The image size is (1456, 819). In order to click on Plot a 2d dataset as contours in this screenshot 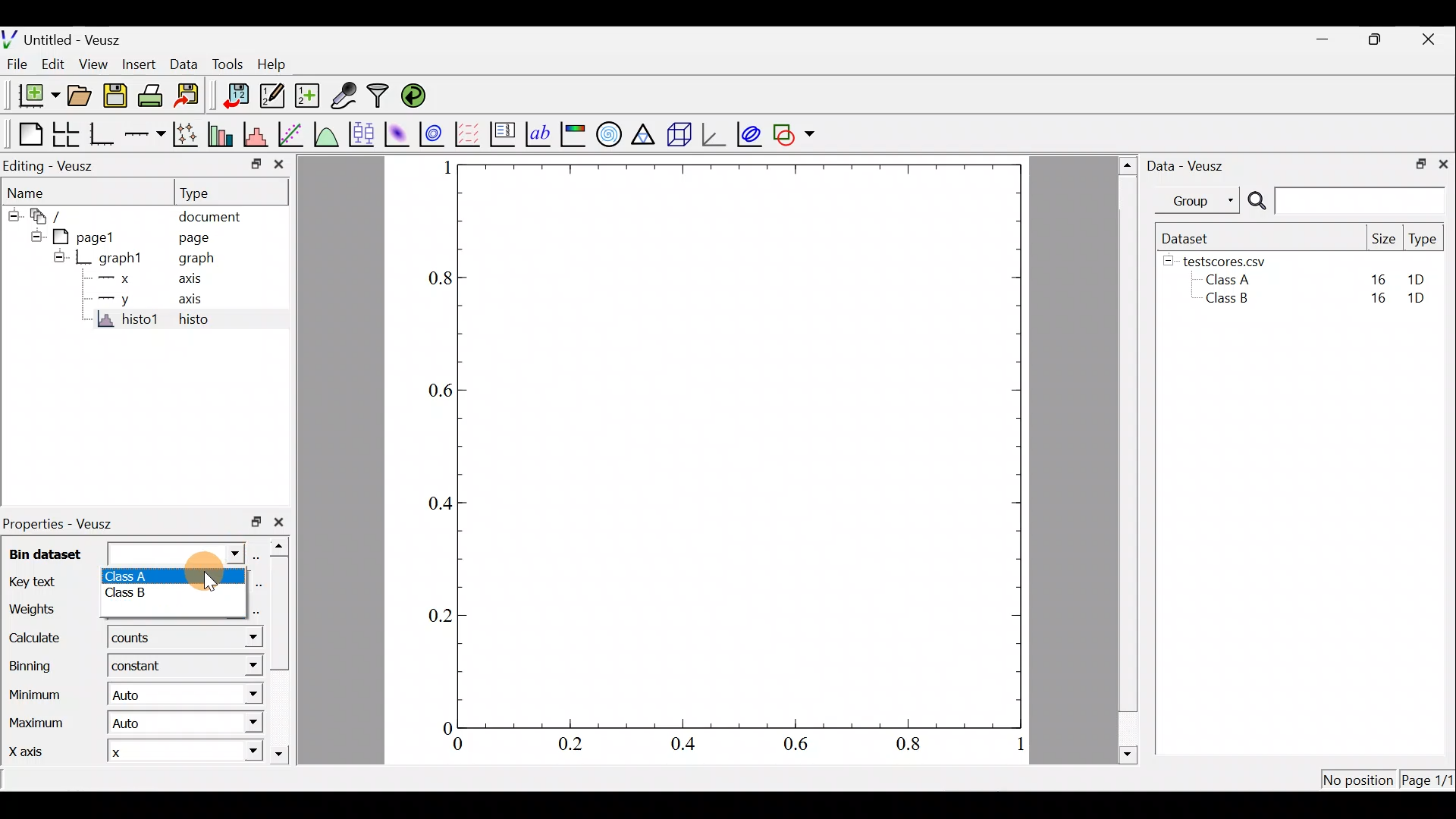, I will do `click(434, 134)`.